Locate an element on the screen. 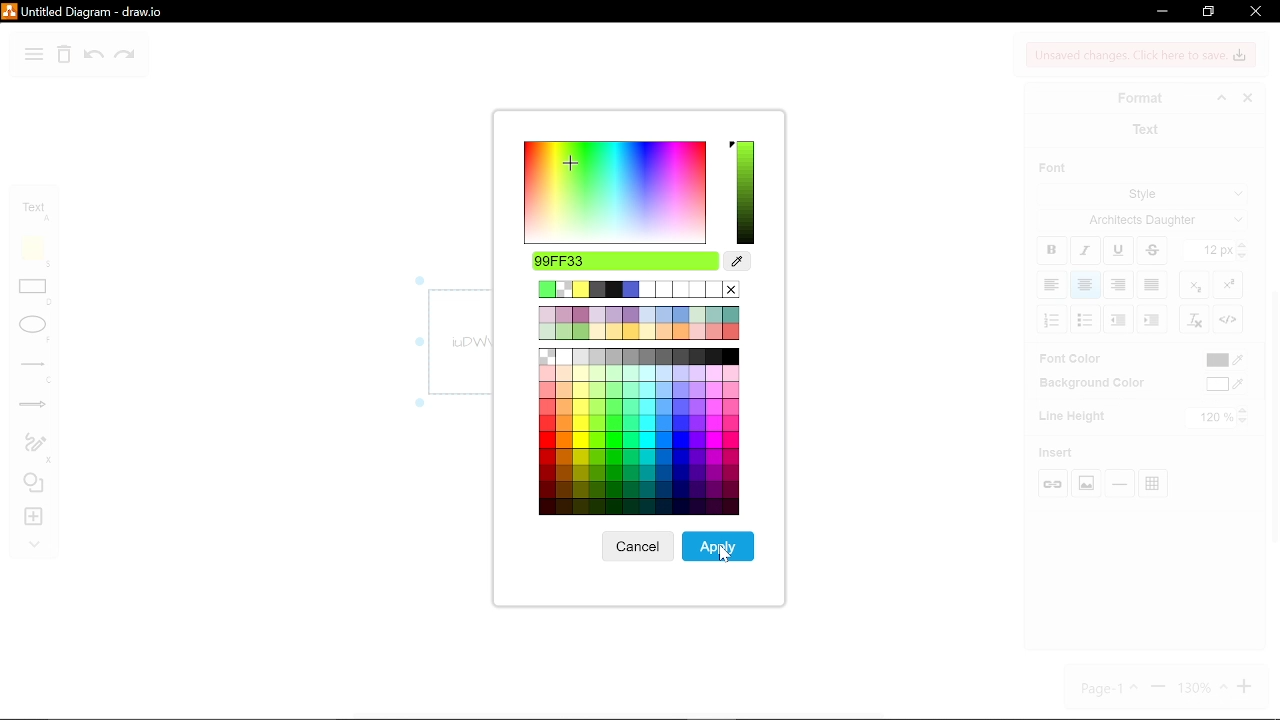  restore down is located at coordinates (1208, 13).